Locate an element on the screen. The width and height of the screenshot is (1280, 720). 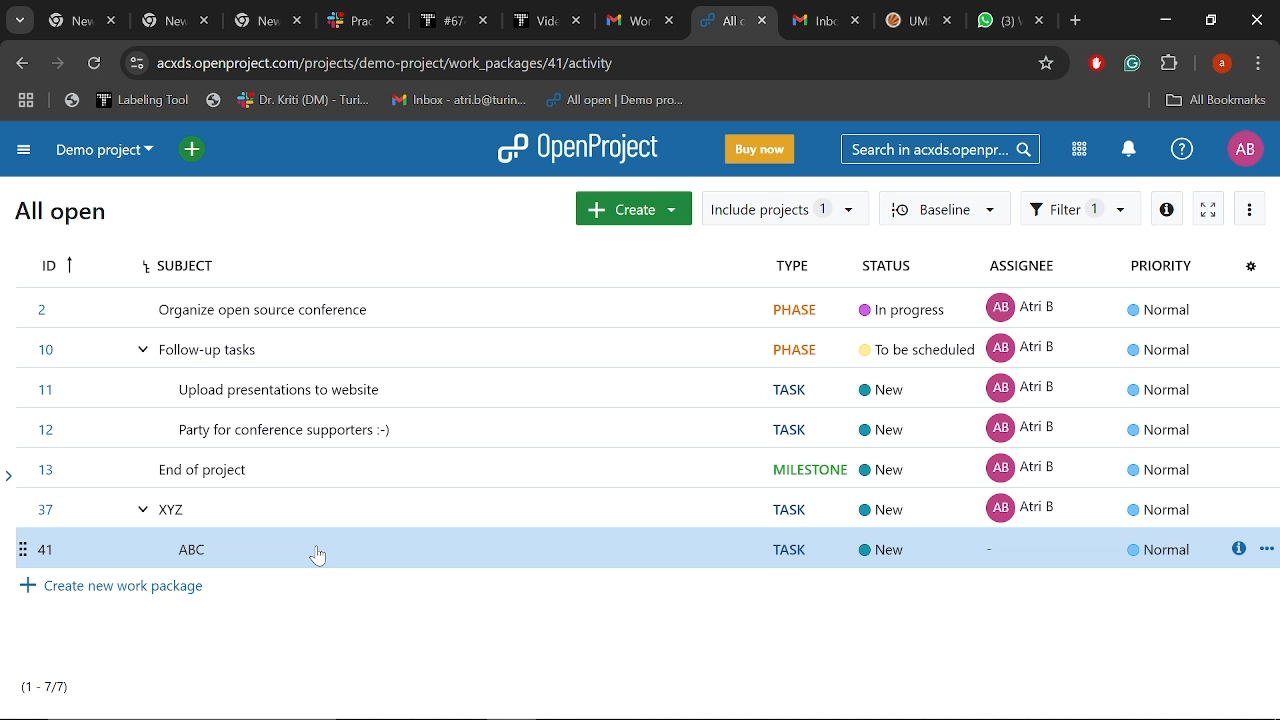
baseline is located at coordinates (945, 208).